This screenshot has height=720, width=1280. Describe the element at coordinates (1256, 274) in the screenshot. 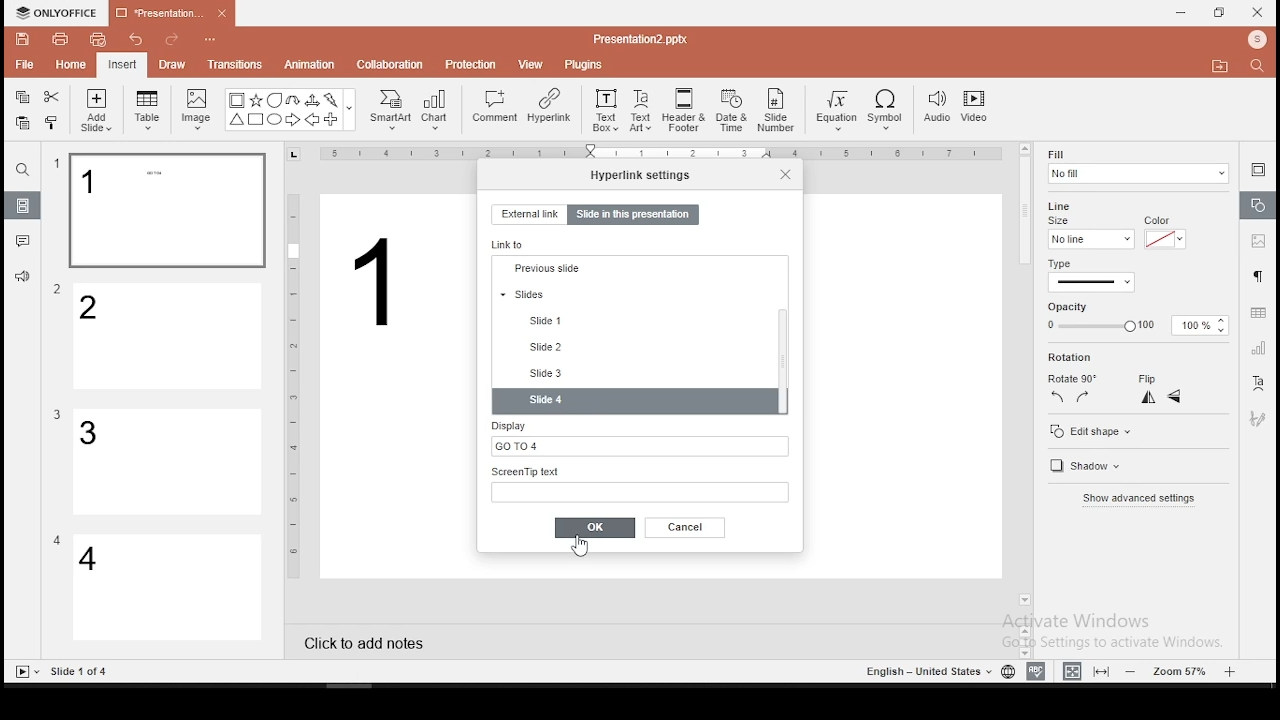

I see `paragraph settings` at that location.